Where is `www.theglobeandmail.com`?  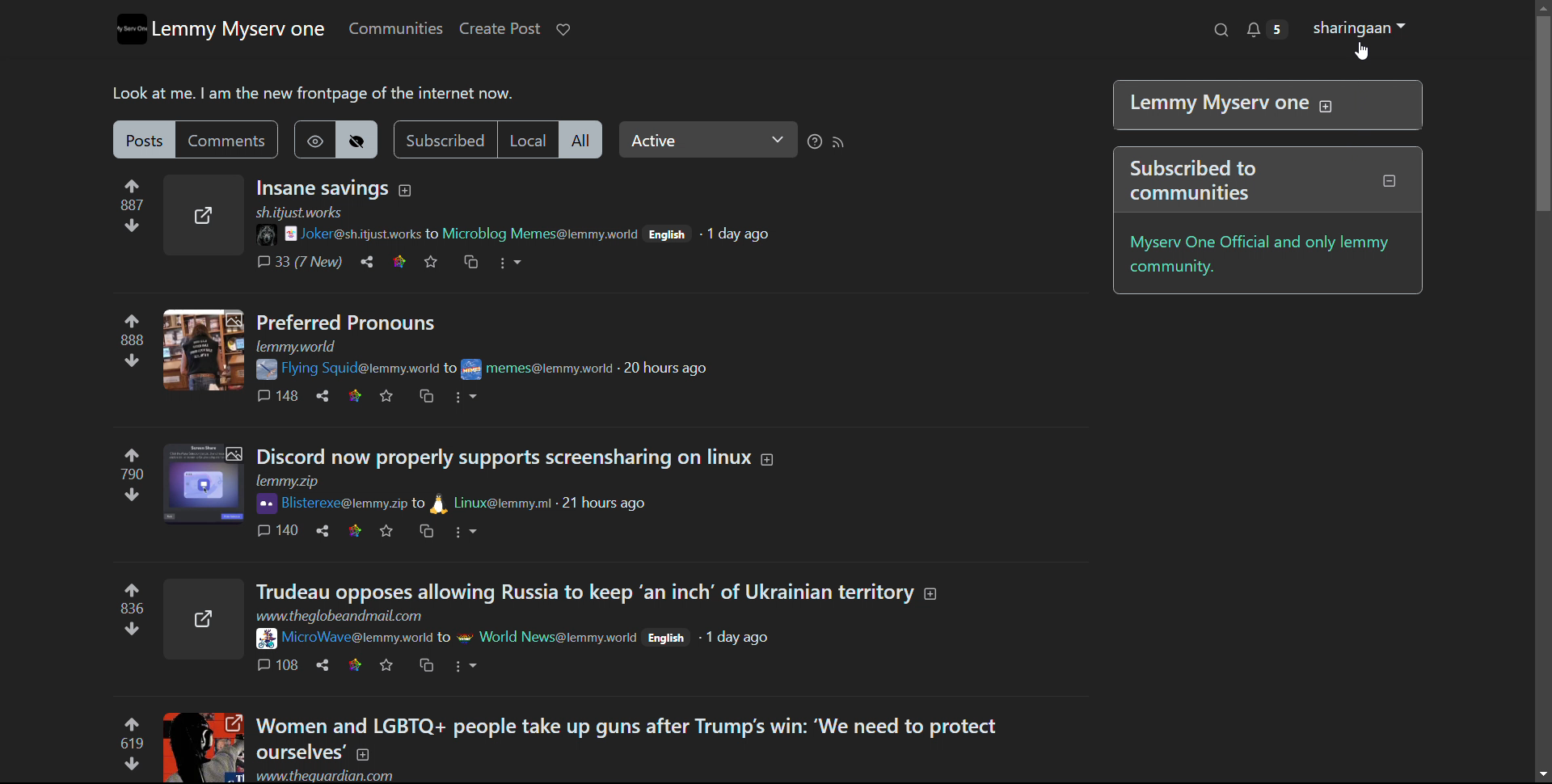 www.theglobeandmail.com is located at coordinates (339, 617).